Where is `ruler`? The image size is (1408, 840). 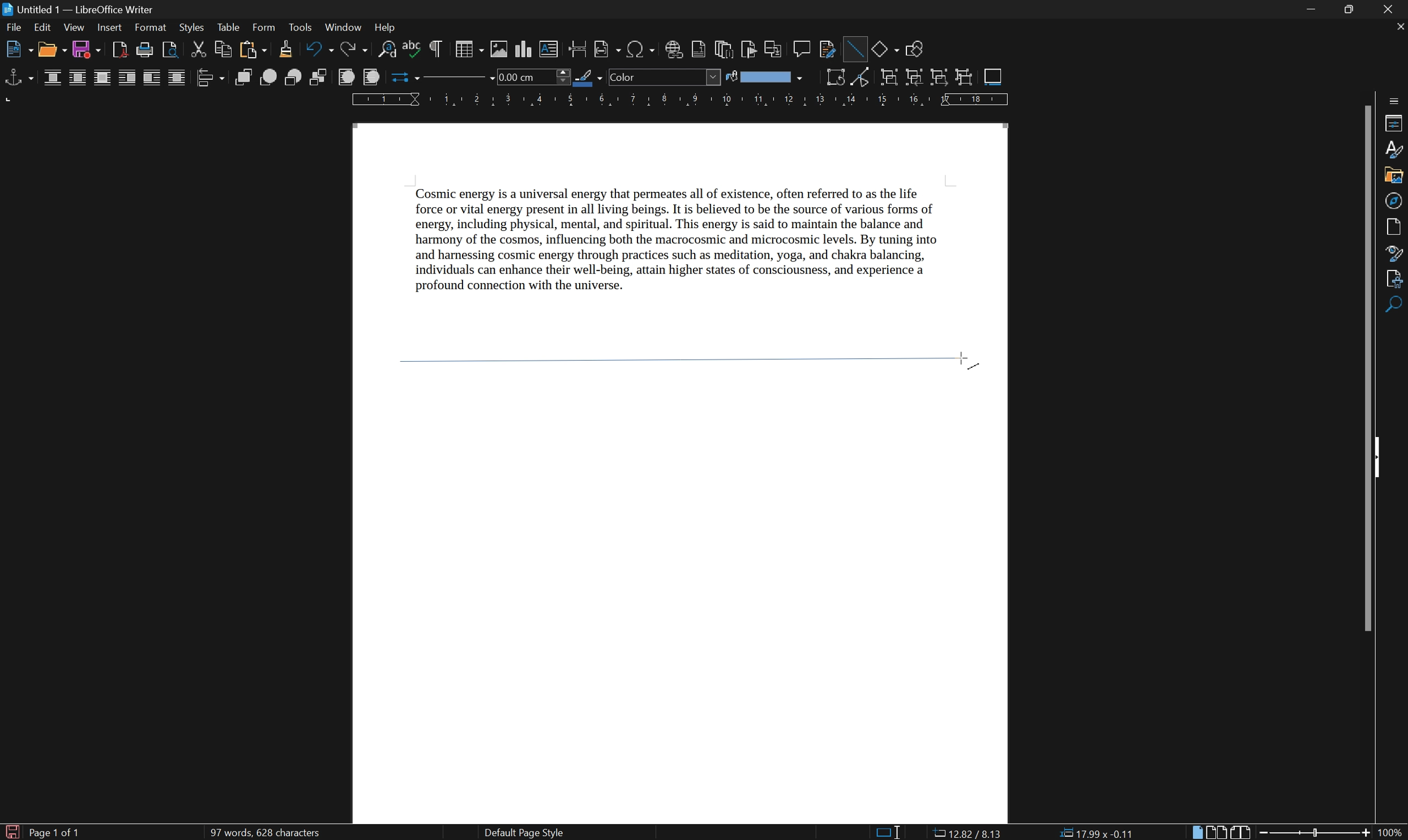
ruler is located at coordinates (679, 100).